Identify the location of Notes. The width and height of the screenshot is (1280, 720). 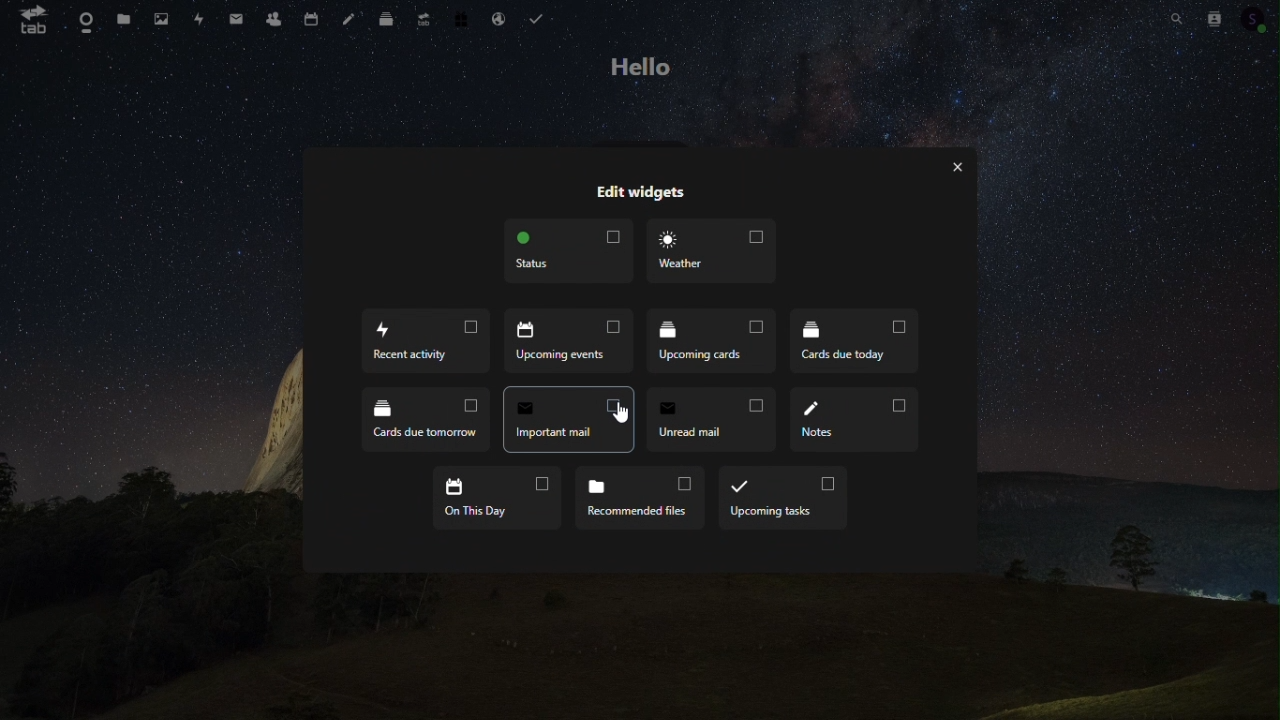
(348, 19).